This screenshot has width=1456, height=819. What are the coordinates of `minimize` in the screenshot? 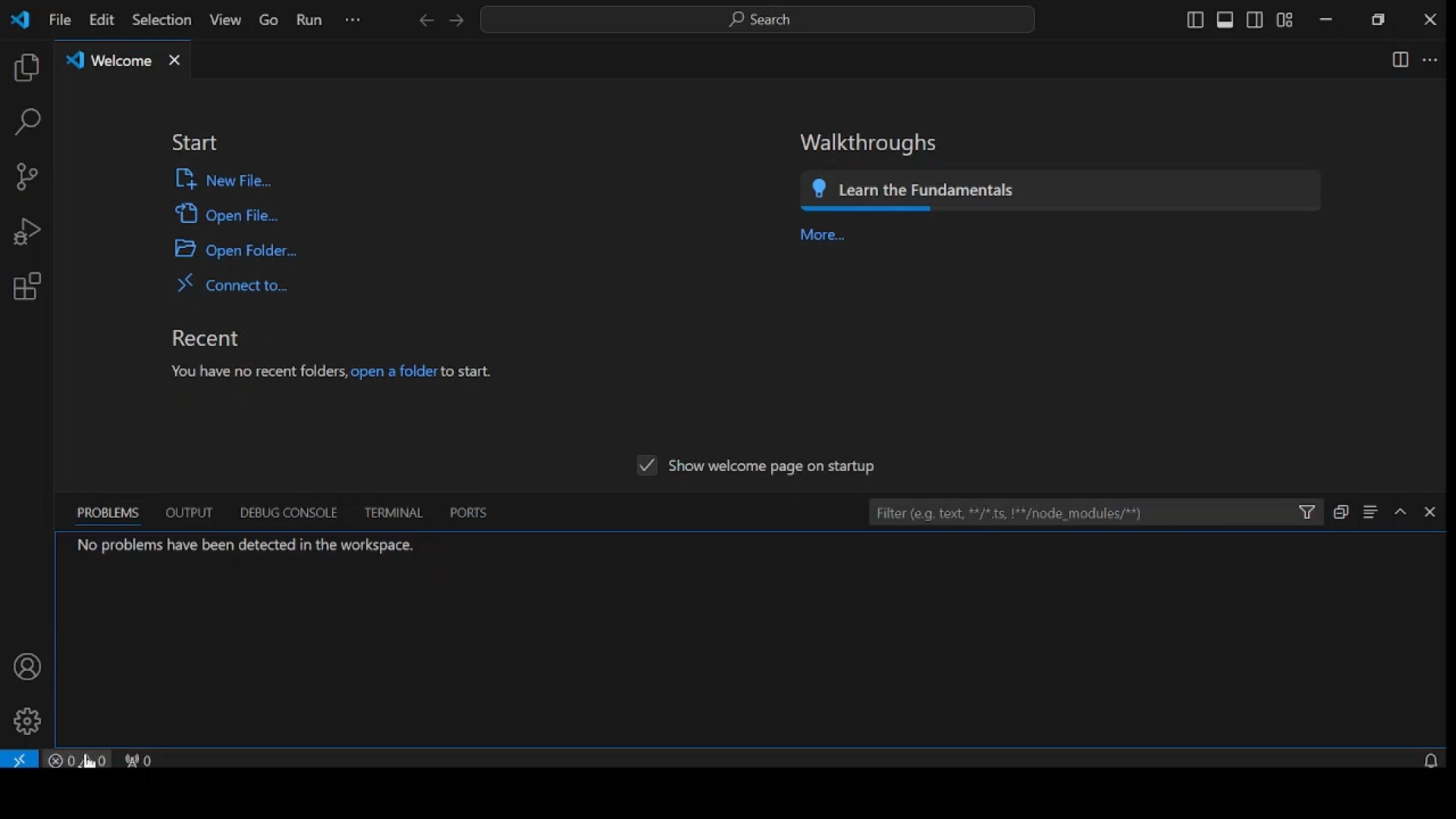 It's located at (1326, 20).